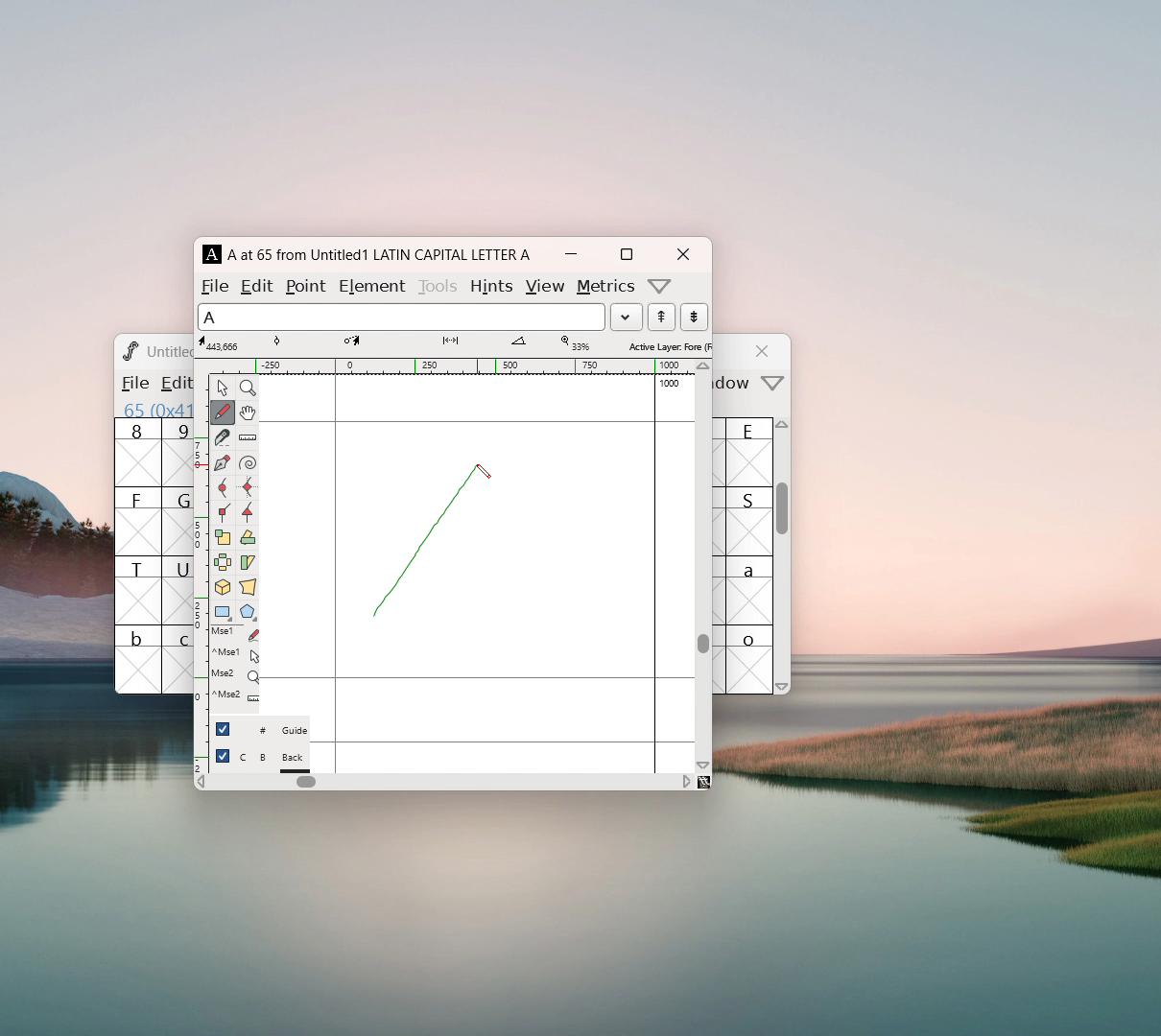  I want to click on add a curve point, so click(222, 488).